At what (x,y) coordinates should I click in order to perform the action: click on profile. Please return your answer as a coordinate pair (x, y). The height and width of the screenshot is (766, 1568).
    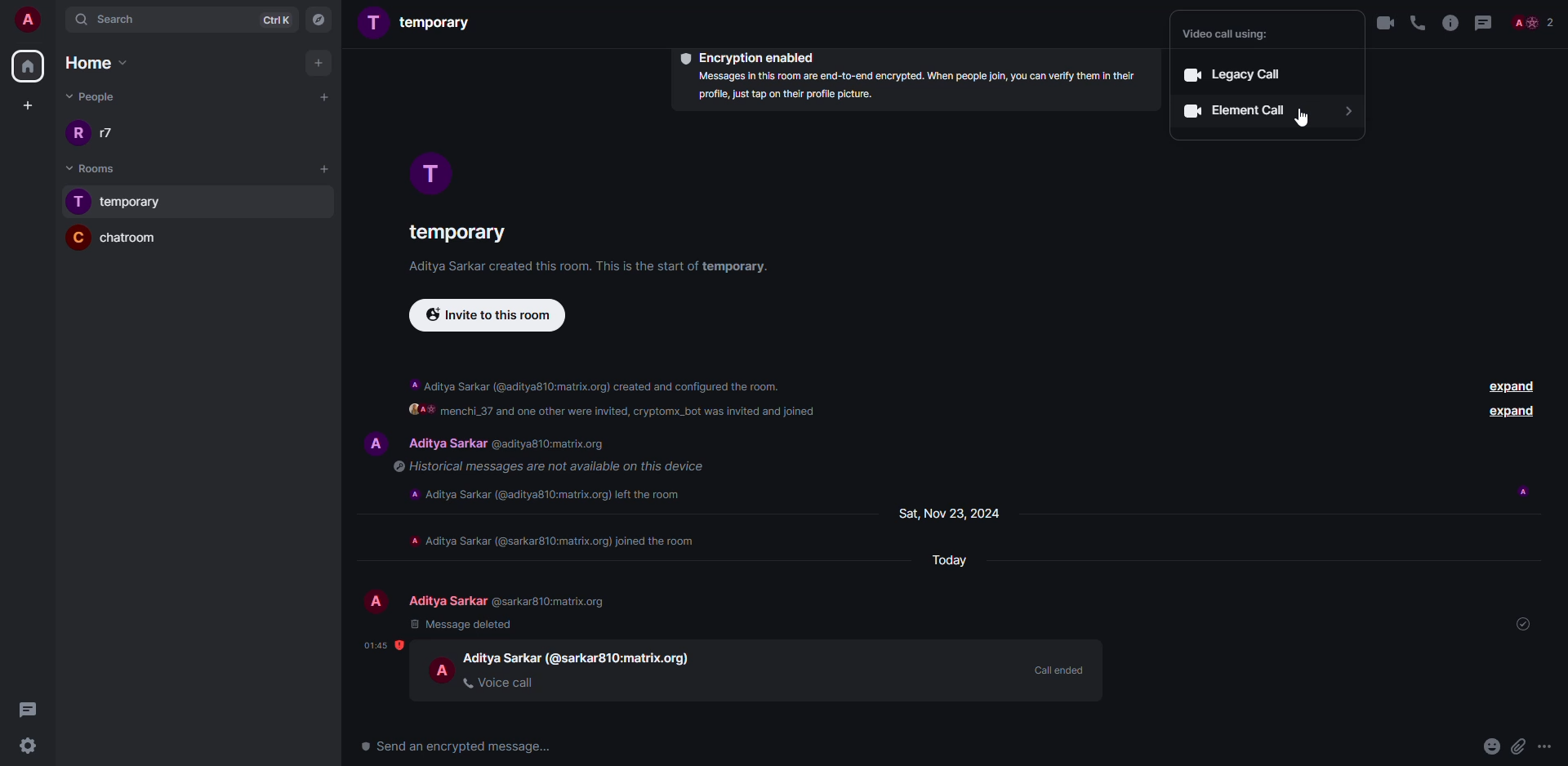
    Looking at the image, I should click on (78, 133).